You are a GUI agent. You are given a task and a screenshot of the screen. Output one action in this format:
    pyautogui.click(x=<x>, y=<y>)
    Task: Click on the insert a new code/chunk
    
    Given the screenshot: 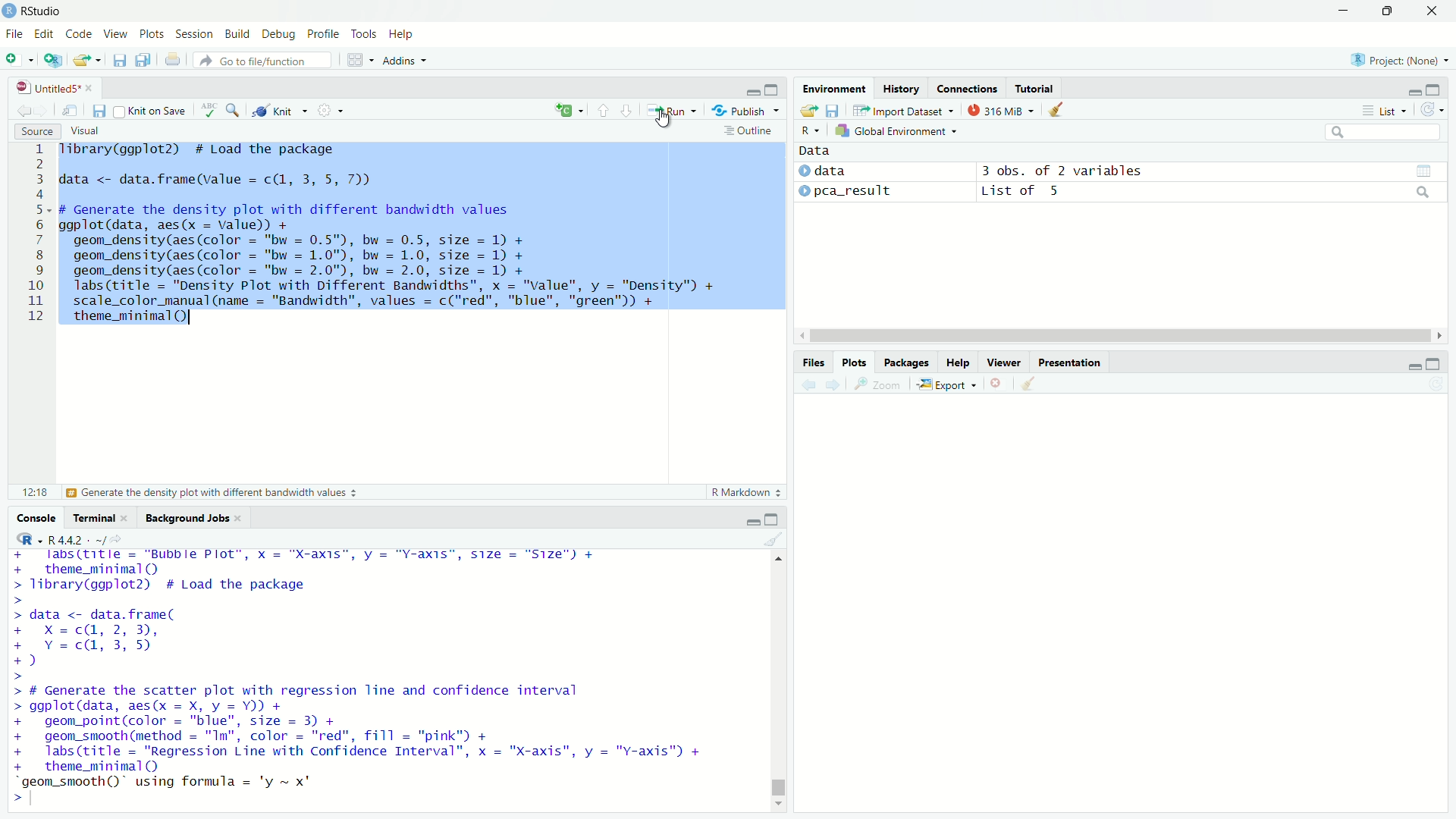 What is the action you would take?
    pyautogui.click(x=569, y=110)
    